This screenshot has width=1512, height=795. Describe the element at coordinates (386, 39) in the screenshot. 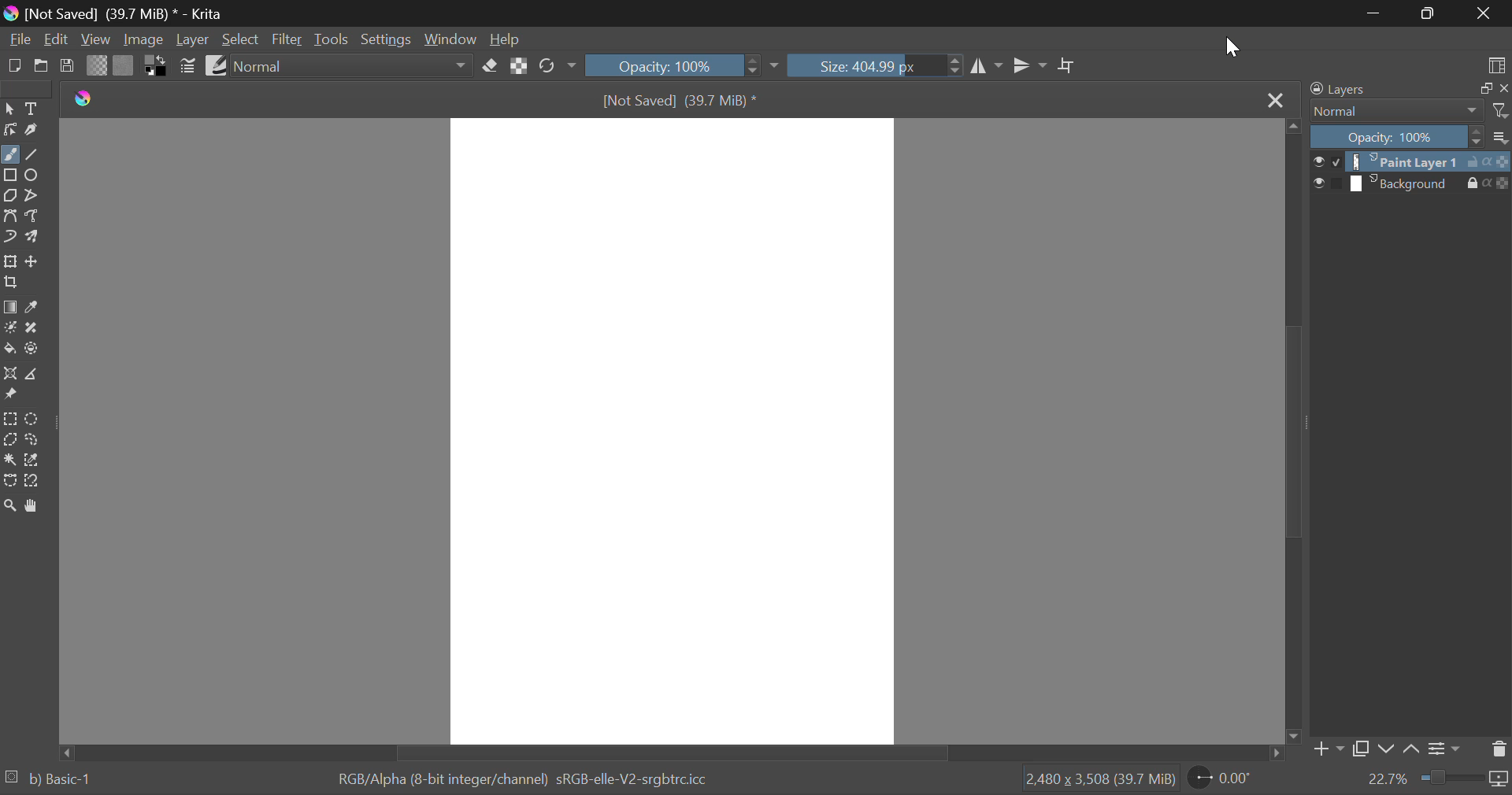

I see `Settings` at that location.